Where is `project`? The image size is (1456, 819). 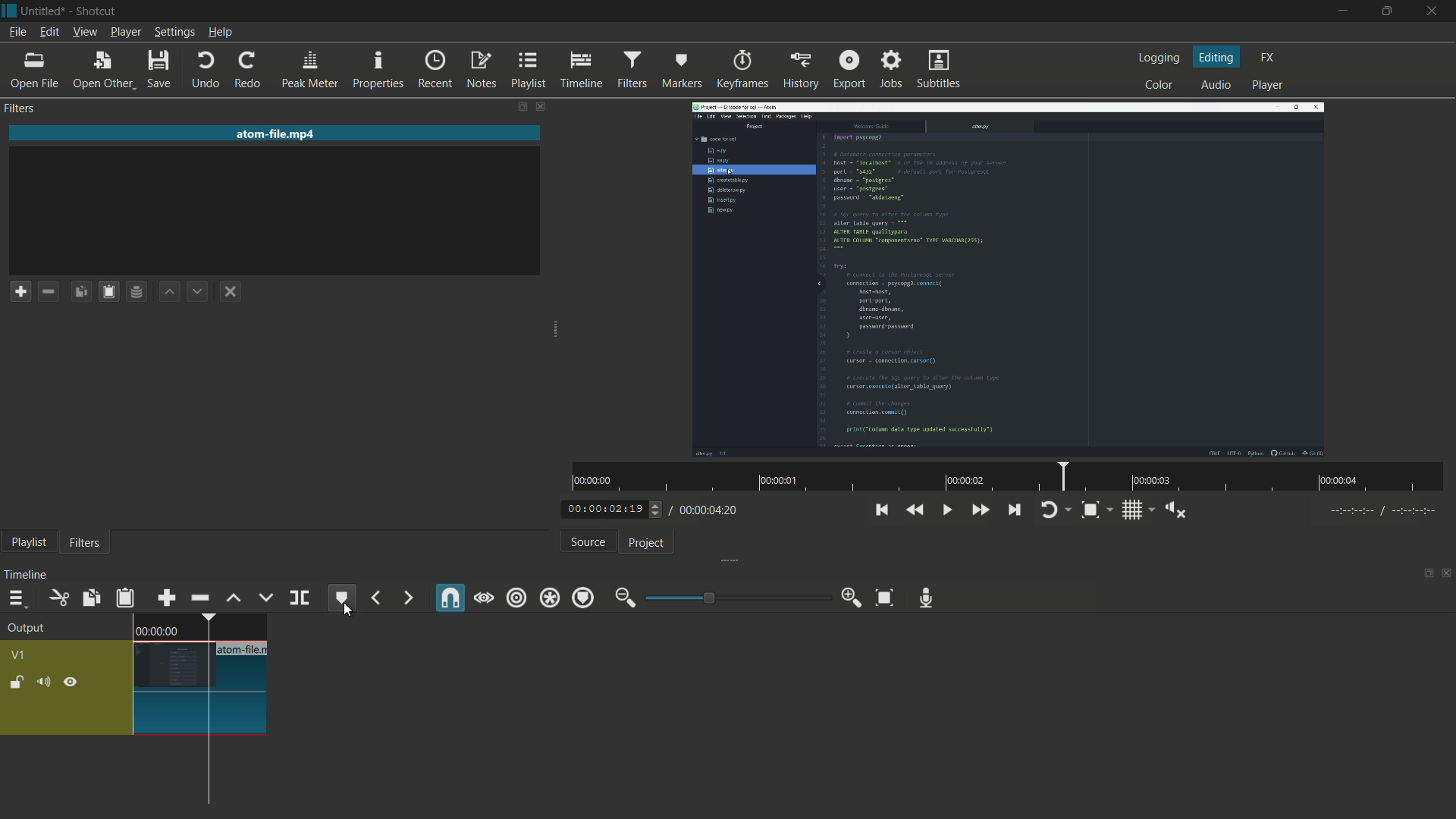 project is located at coordinates (647, 542).